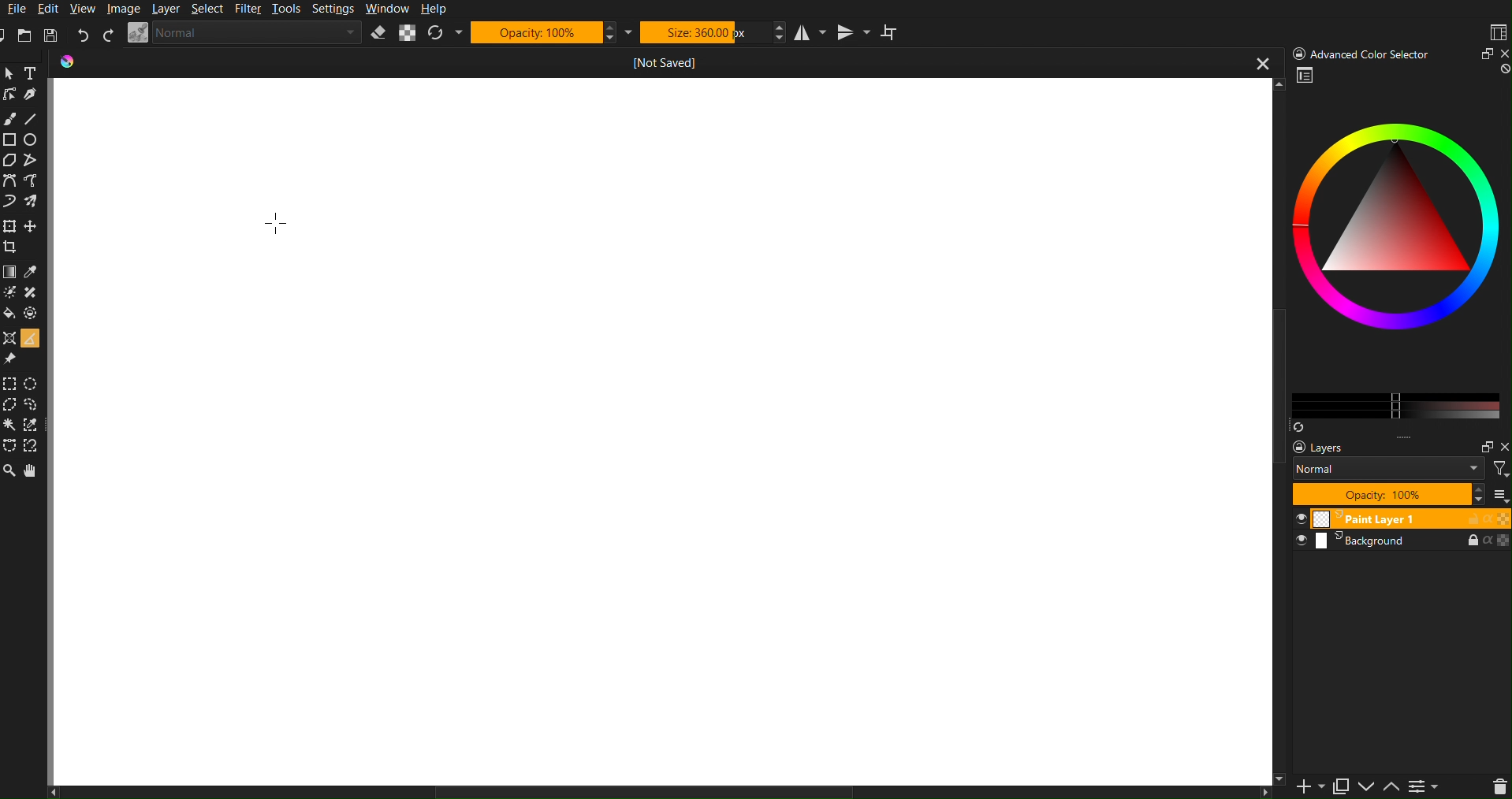 The image size is (1512, 799). Describe the element at coordinates (34, 405) in the screenshot. I see `Free Shape Marquee Tool` at that location.